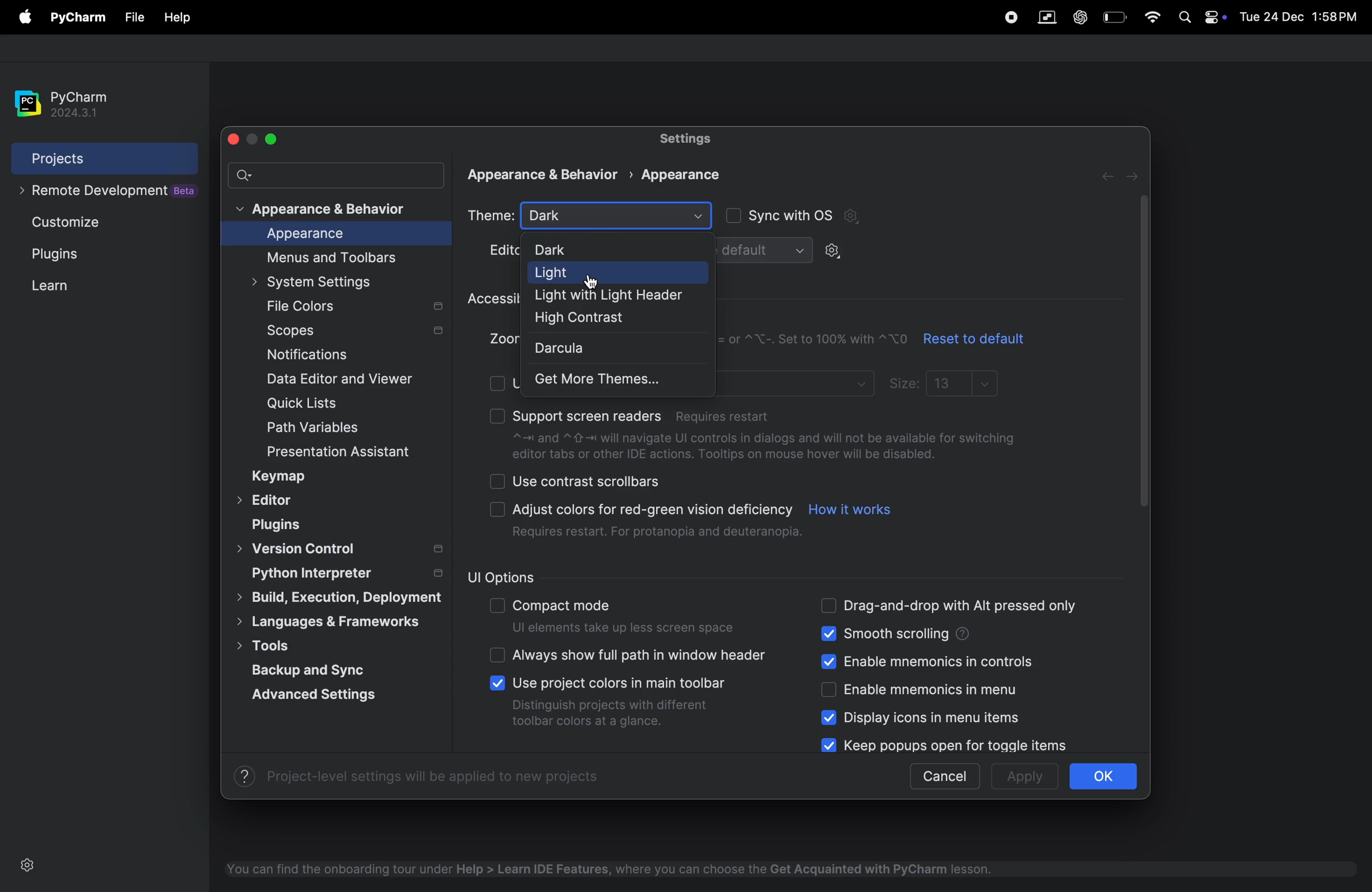  Describe the element at coordinates (946, 659) in the screenshot. I see `enable mnemonic controls` at that location.